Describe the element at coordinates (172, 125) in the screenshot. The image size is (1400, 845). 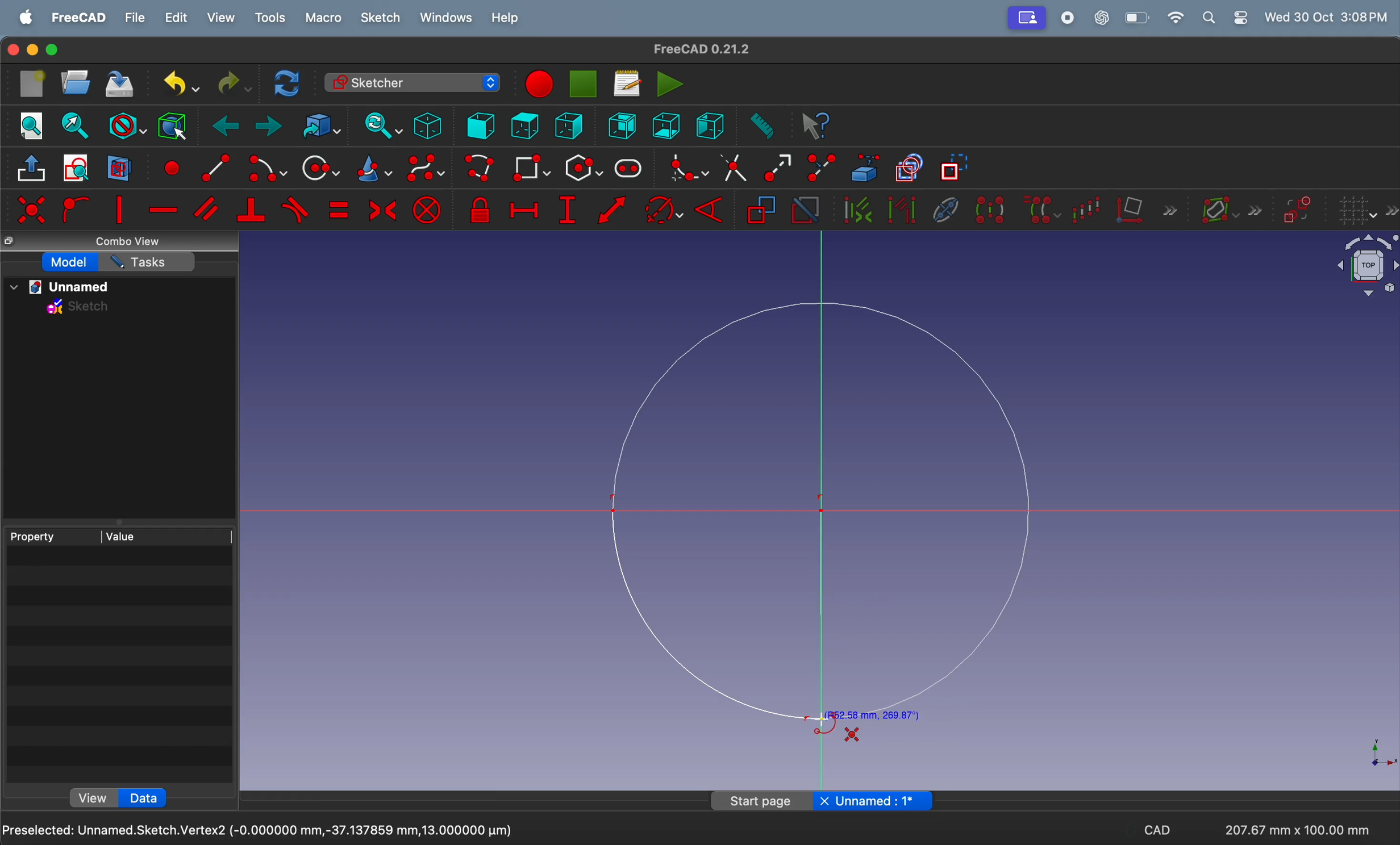
I see `bounding box` at that location.